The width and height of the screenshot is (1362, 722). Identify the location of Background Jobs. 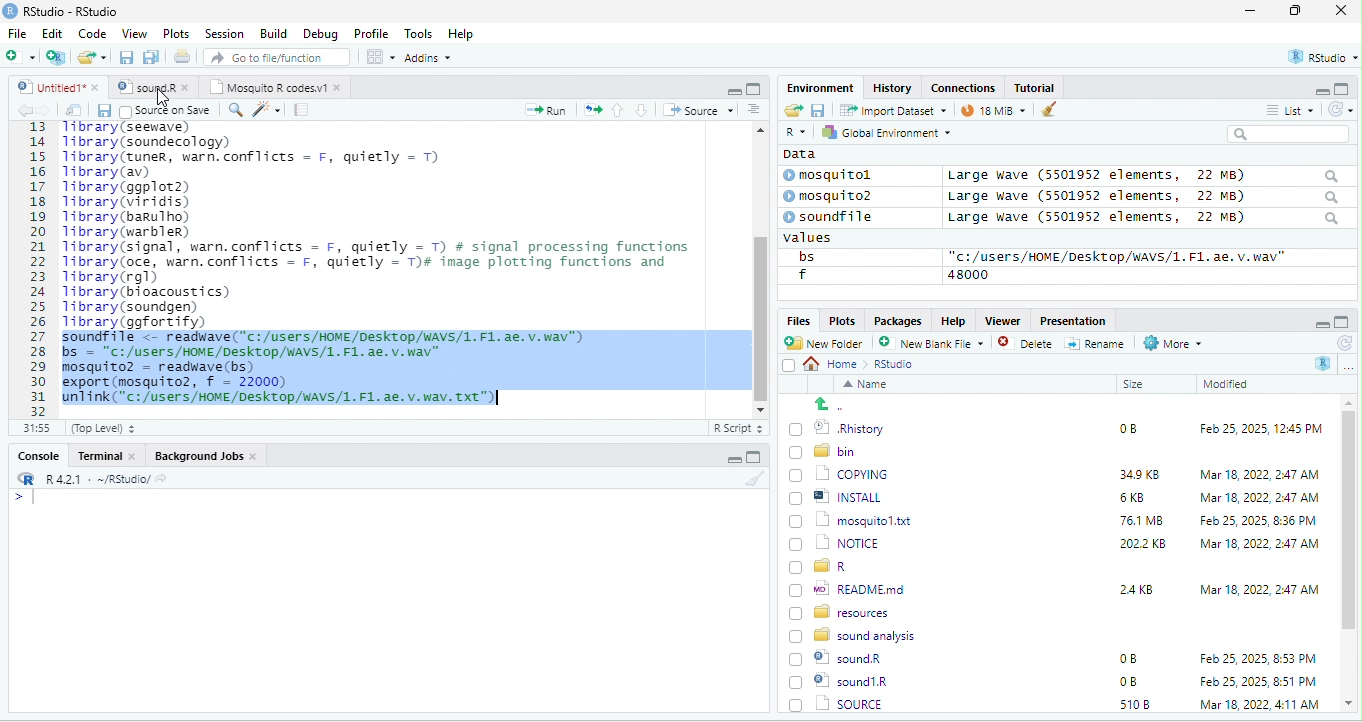
(205, 455).